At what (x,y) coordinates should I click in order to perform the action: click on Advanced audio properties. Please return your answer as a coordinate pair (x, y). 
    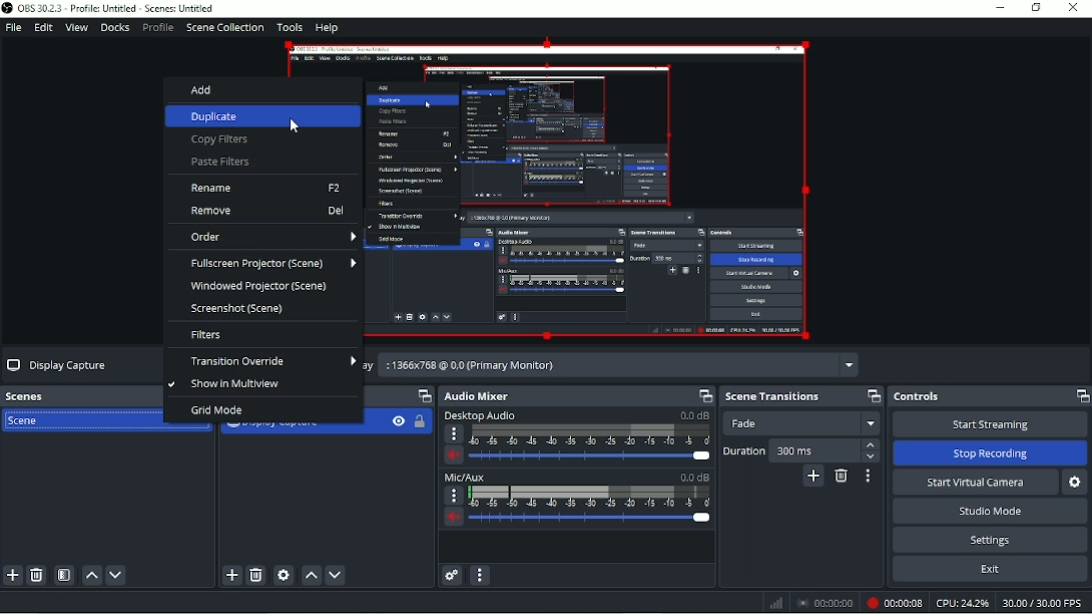
    Looking at the image, I should click on (452, 576).